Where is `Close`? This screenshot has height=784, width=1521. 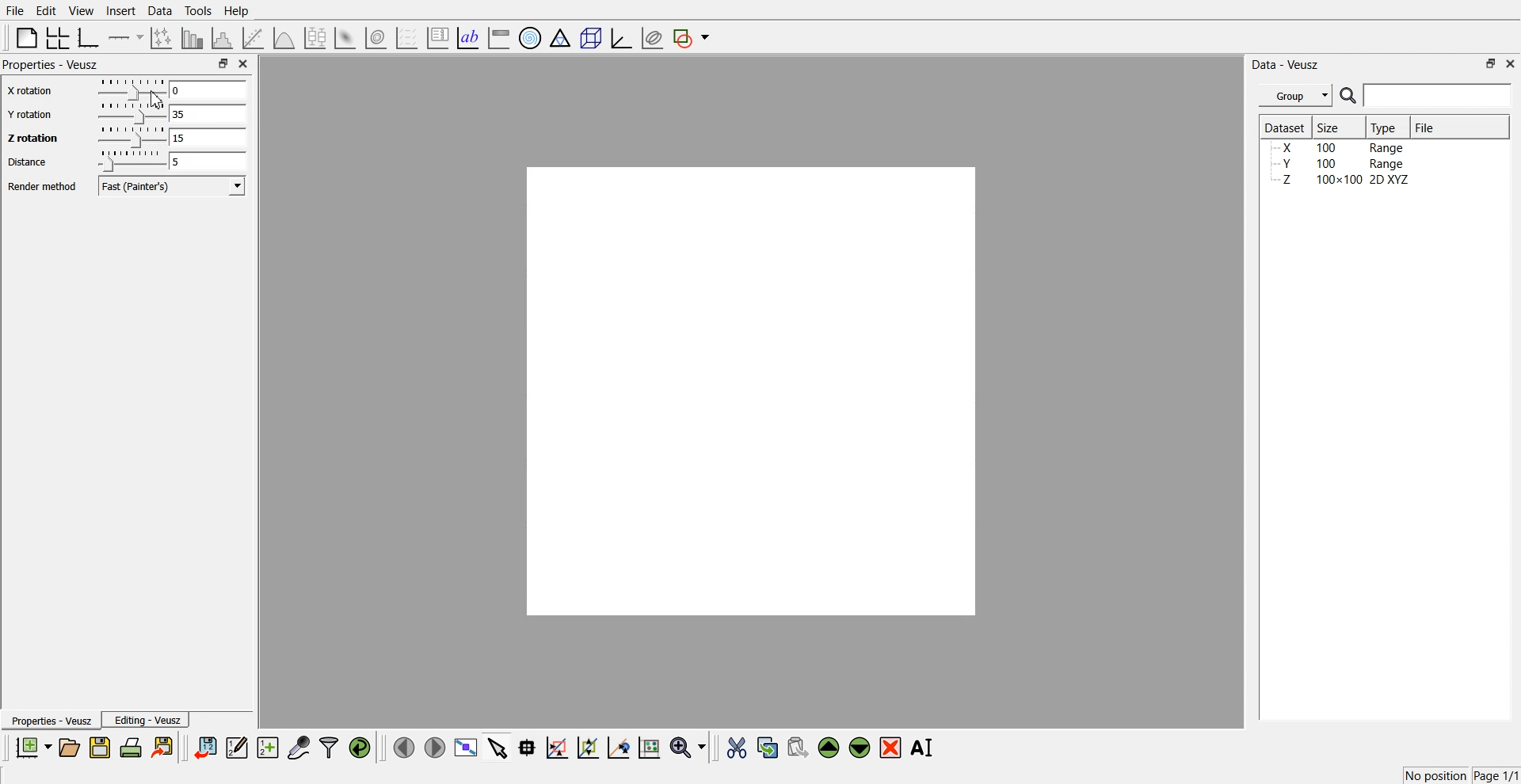
Close is located at coordinates (244, 63).